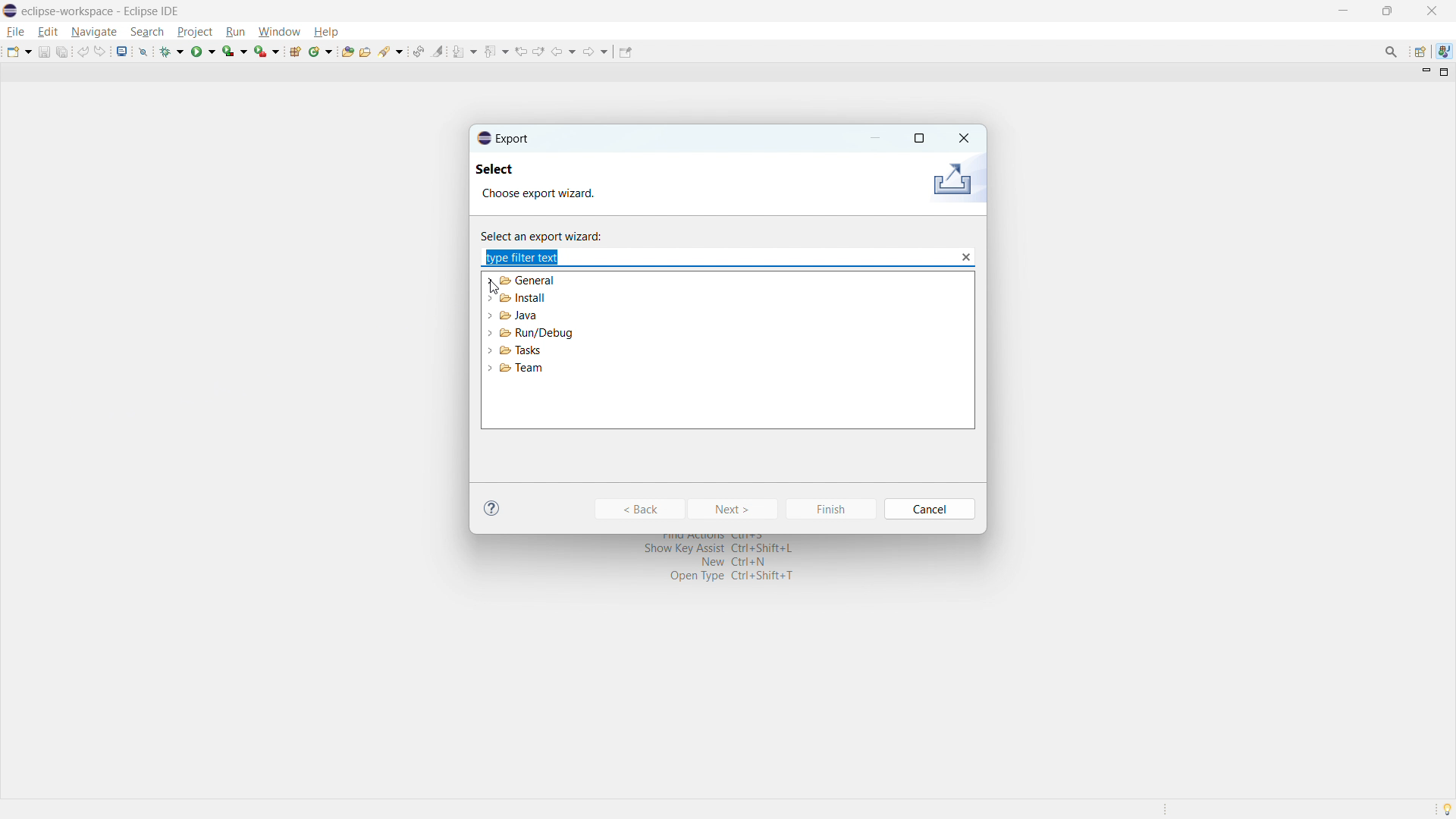 The height and width of the screenshot is (819, 1456). What do you see at coordinates (365, 50) in the screenshot?
I see `open task` at bounding box center [365, 50].